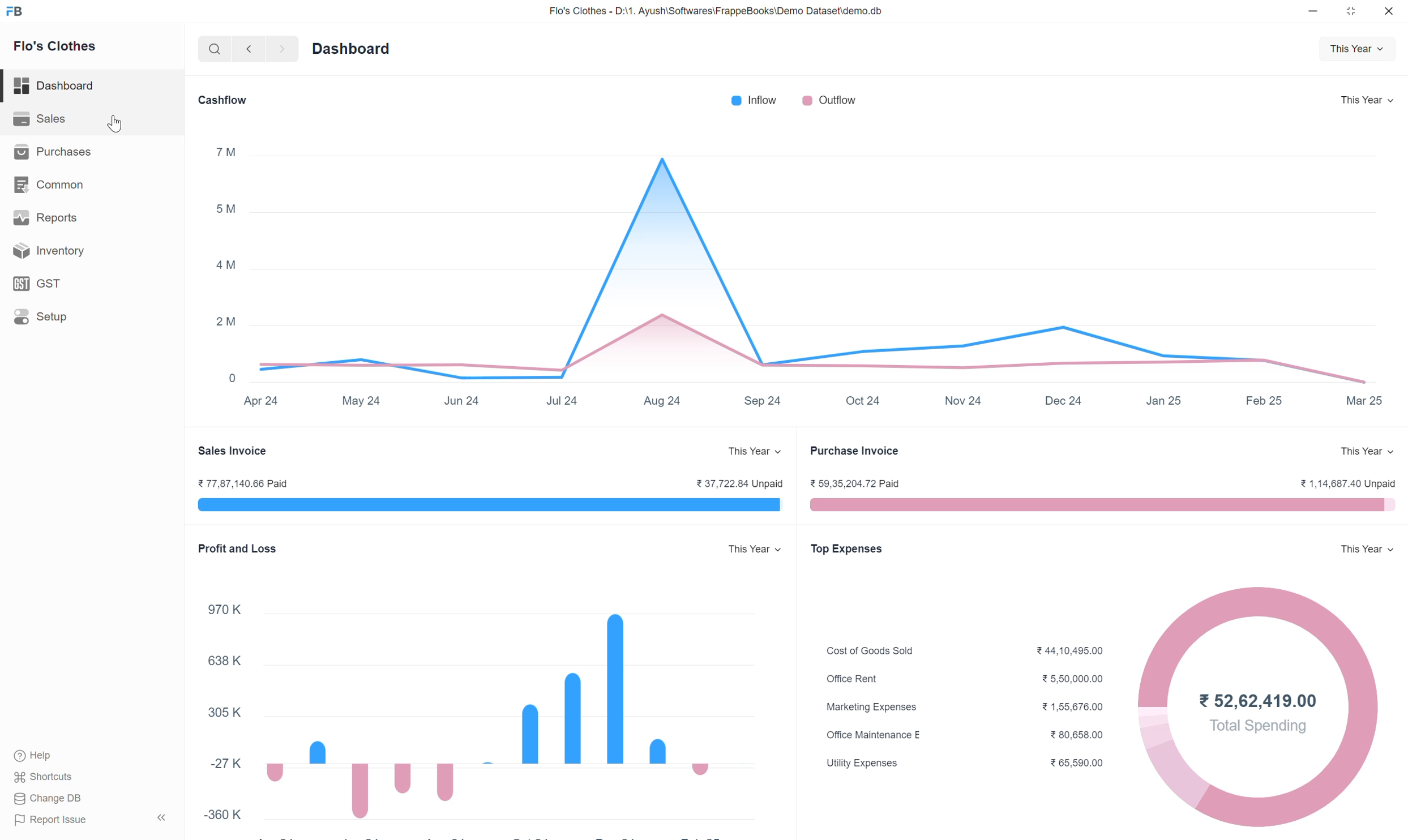 Image resolution: width=1408 pixels, height=840 pixels. I want to click on 970K, so click(226, 609).